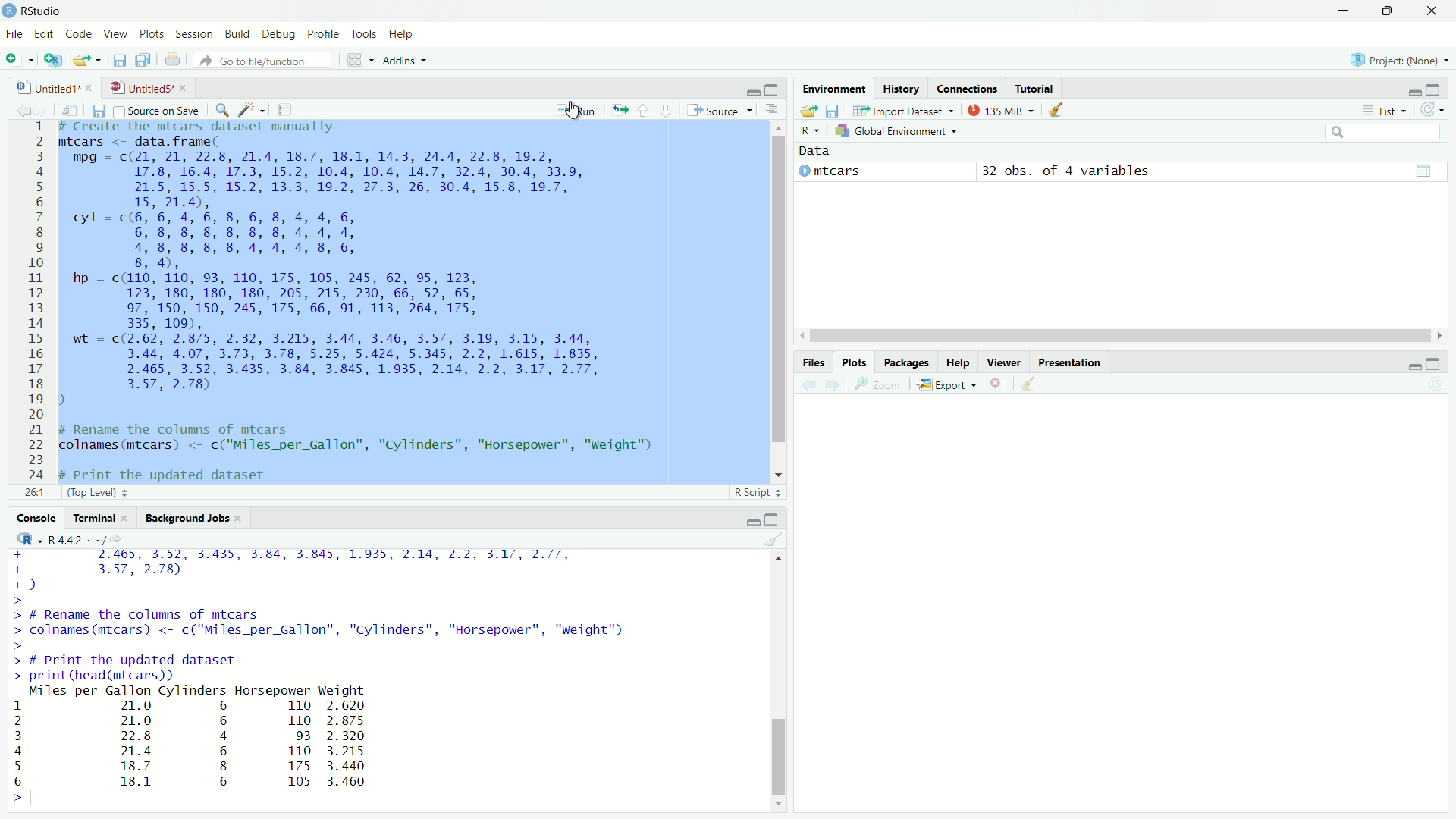 The height and width of the screenshot is (819, 1456). What do you see at coordinates (95, 517) in the screenshot?
I see `Terminal` at bounding box center [95, 517].